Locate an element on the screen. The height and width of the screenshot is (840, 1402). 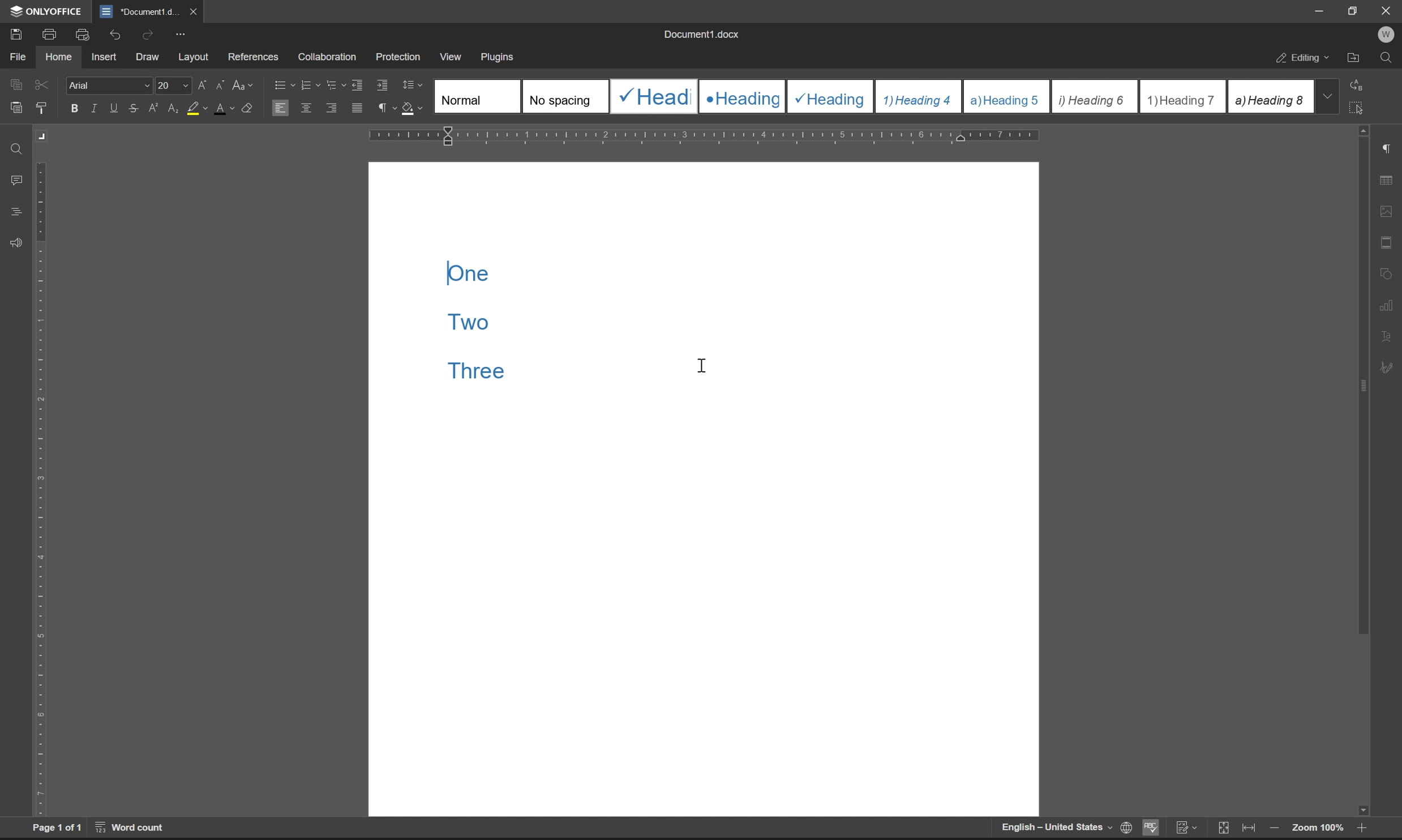
background color is located at coordinates (196, 109).